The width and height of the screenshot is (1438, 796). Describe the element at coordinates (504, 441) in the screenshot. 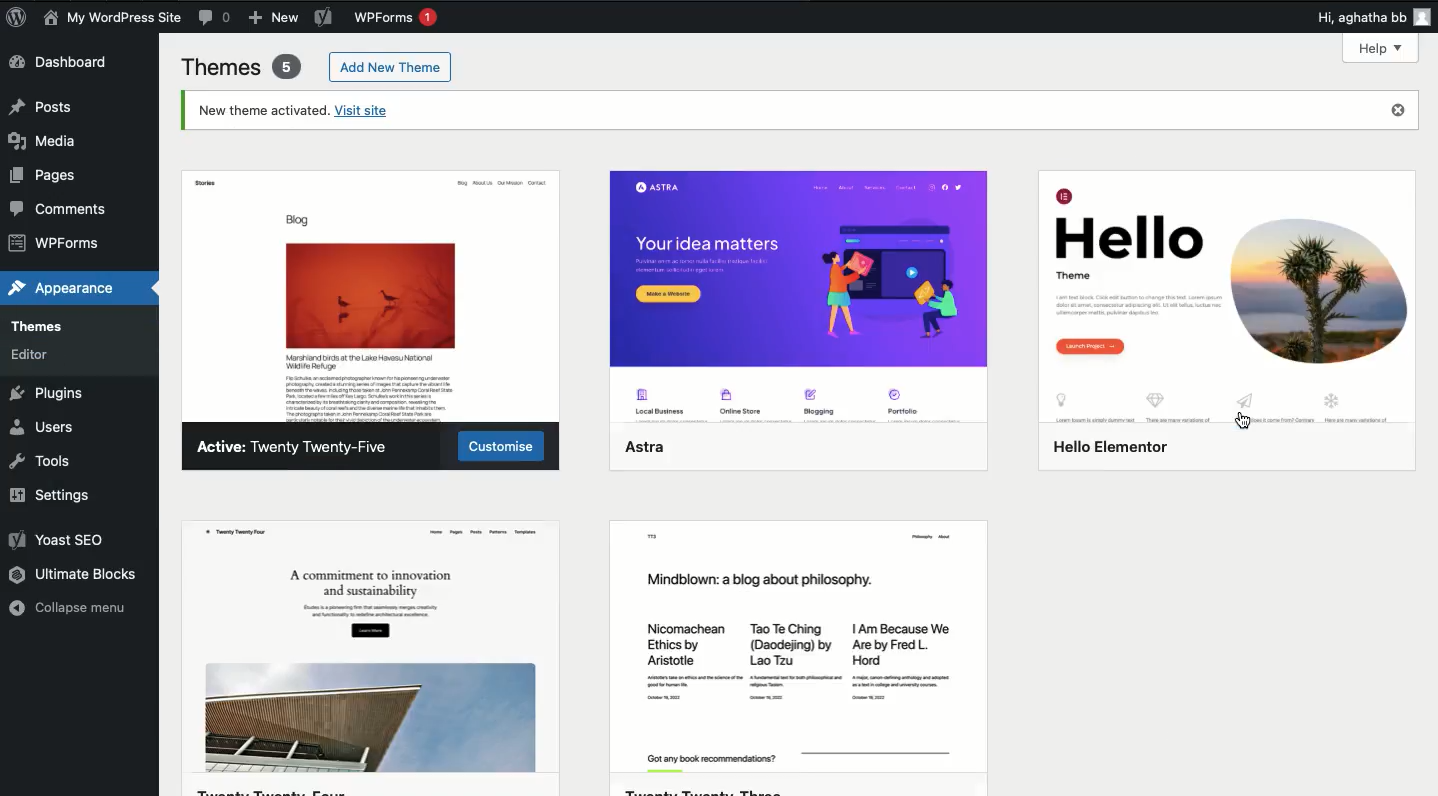

I see `Customise` at that location.